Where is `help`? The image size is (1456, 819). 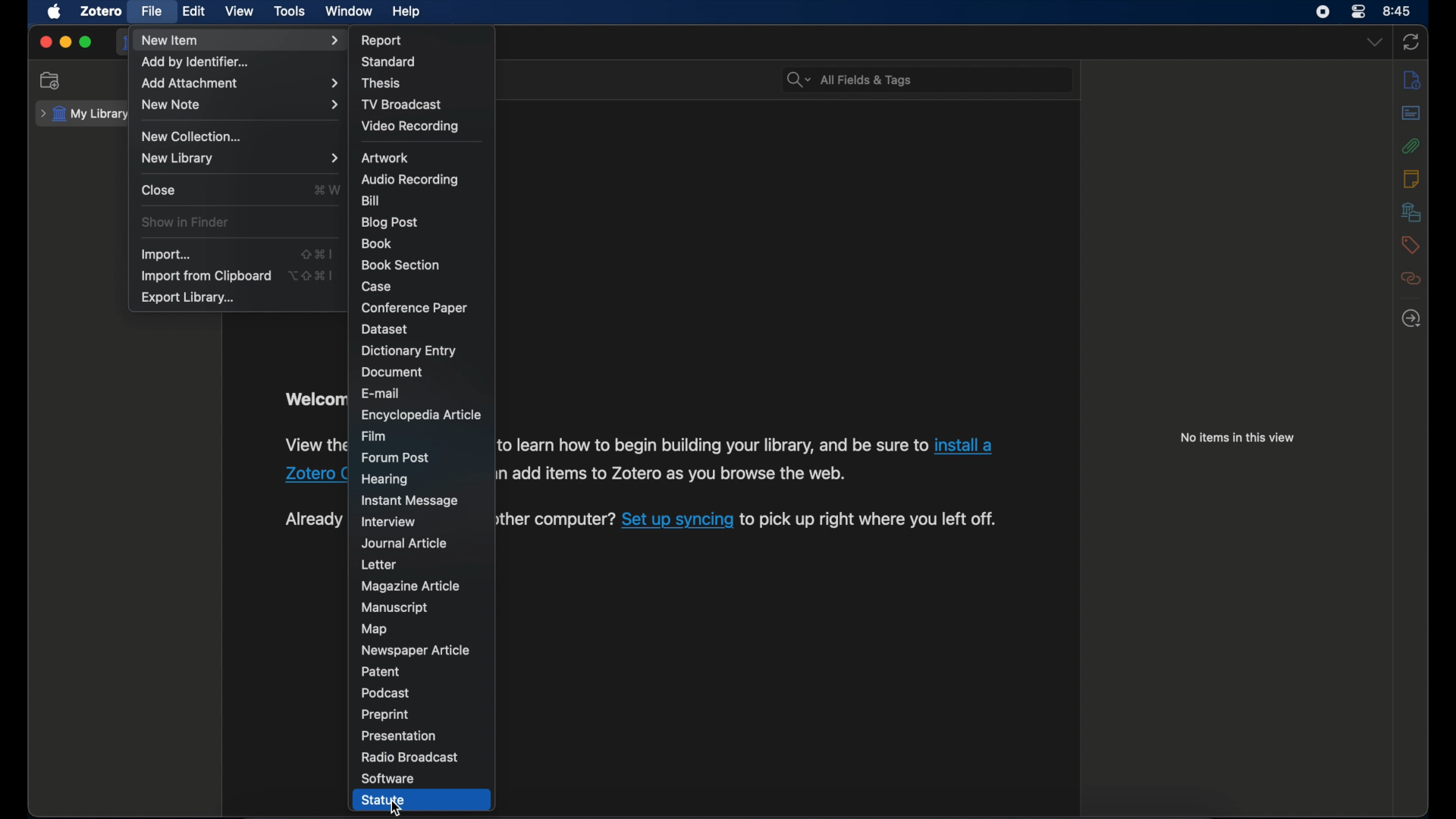
help is located at coordinates (408, 12).